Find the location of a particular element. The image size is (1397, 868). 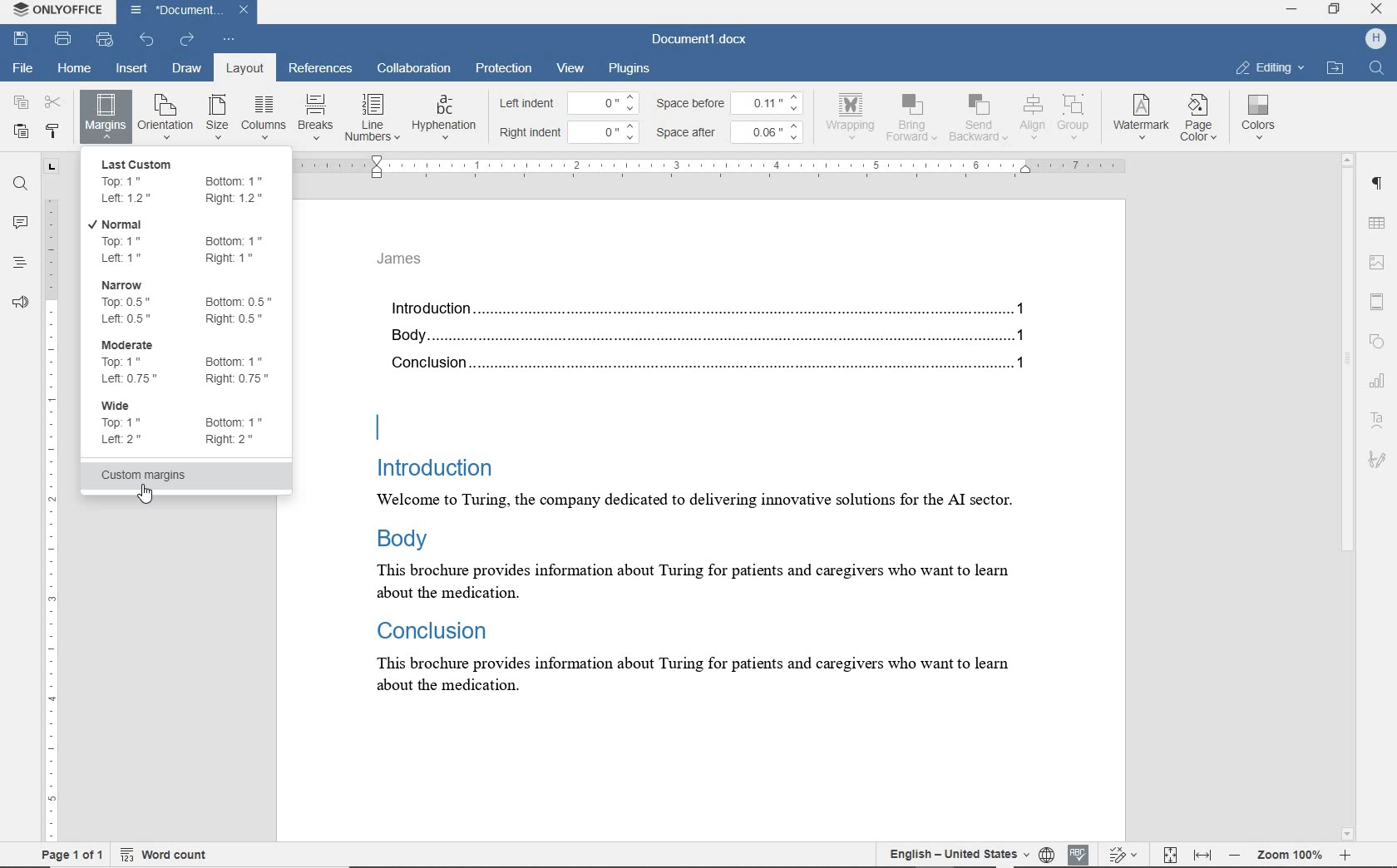

redo is located at coordinates (187, 40).